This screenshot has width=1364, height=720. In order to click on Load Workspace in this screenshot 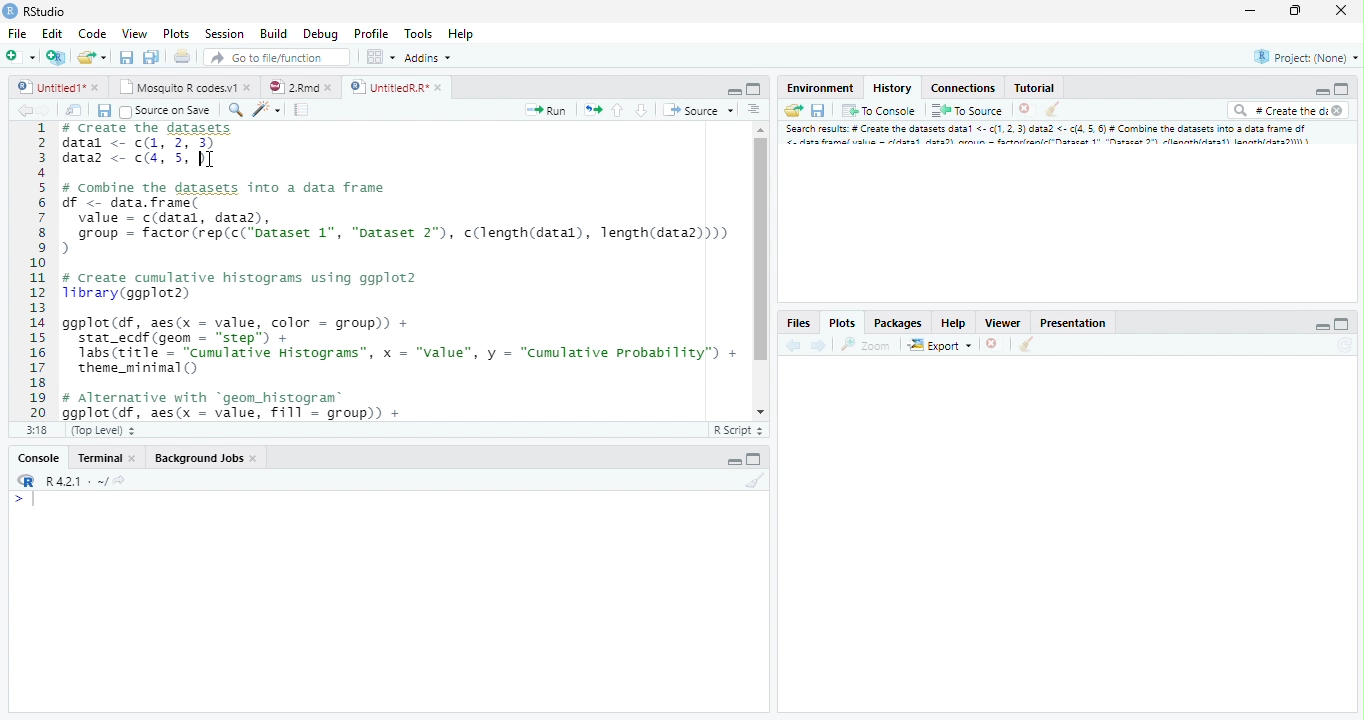, I will do `click(795, 113)`.